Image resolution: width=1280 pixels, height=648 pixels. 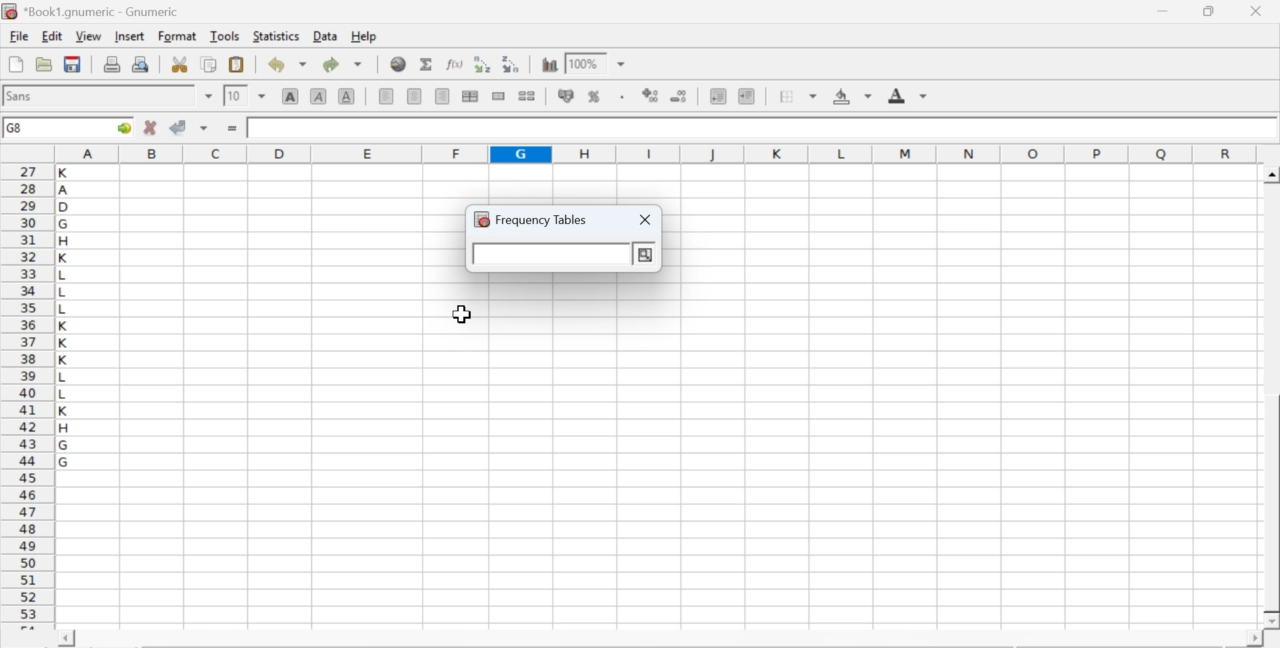 I want to click on more, so click(x=643, y=255).